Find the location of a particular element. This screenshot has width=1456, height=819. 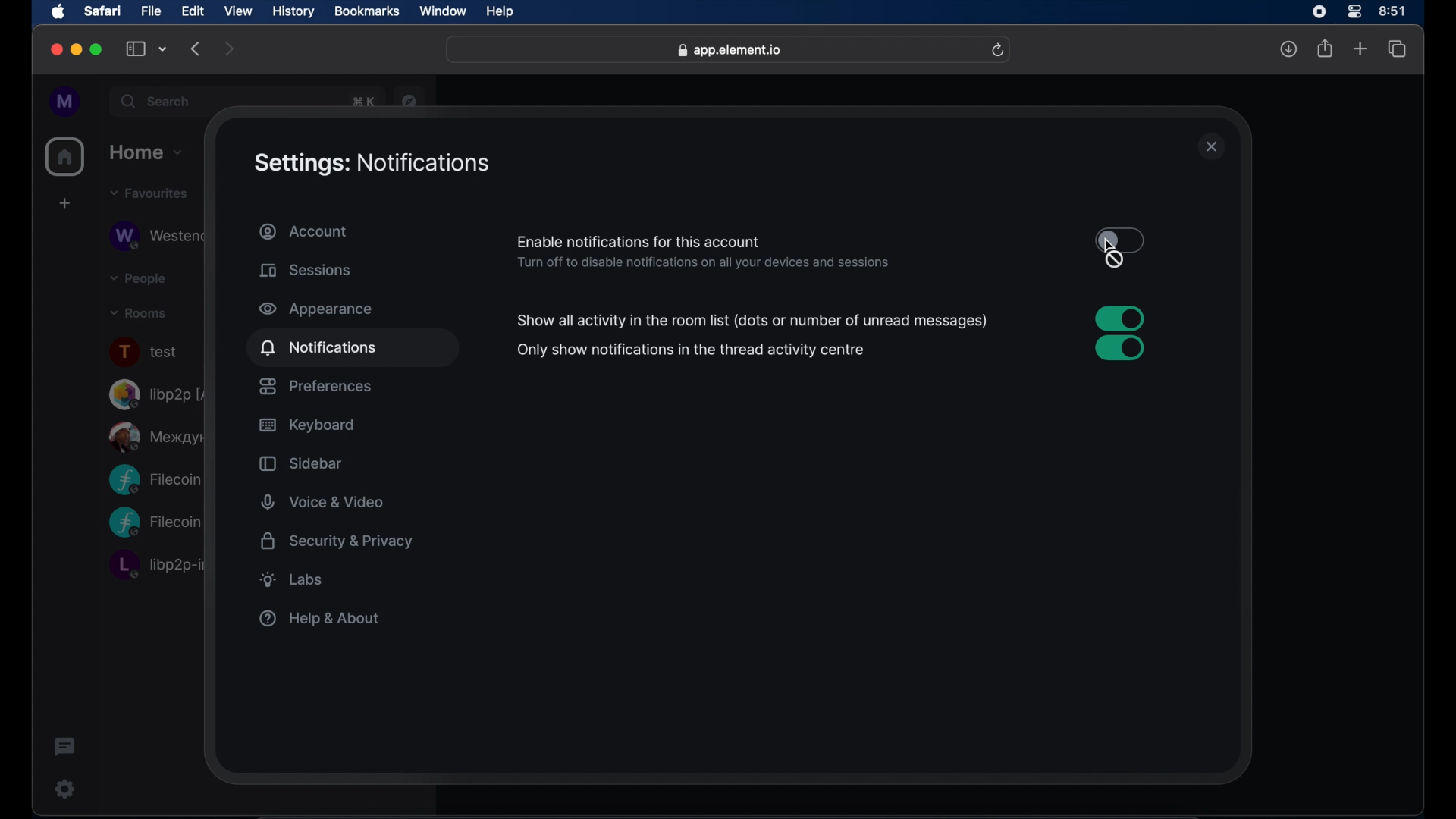

settings: notifications is located at coordinates (374, 165).